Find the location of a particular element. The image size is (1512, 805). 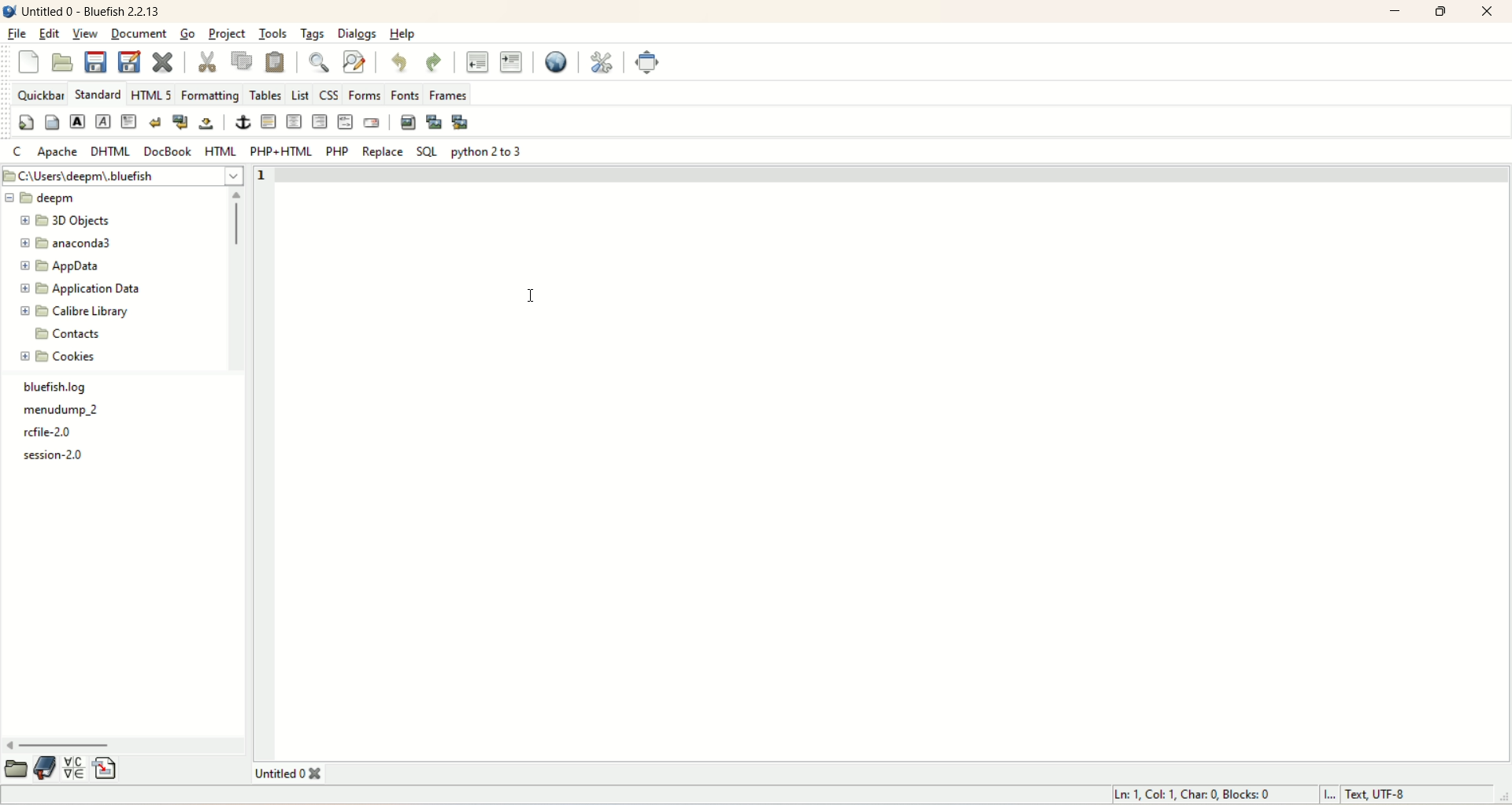

List is located at coordinates (300, 95).